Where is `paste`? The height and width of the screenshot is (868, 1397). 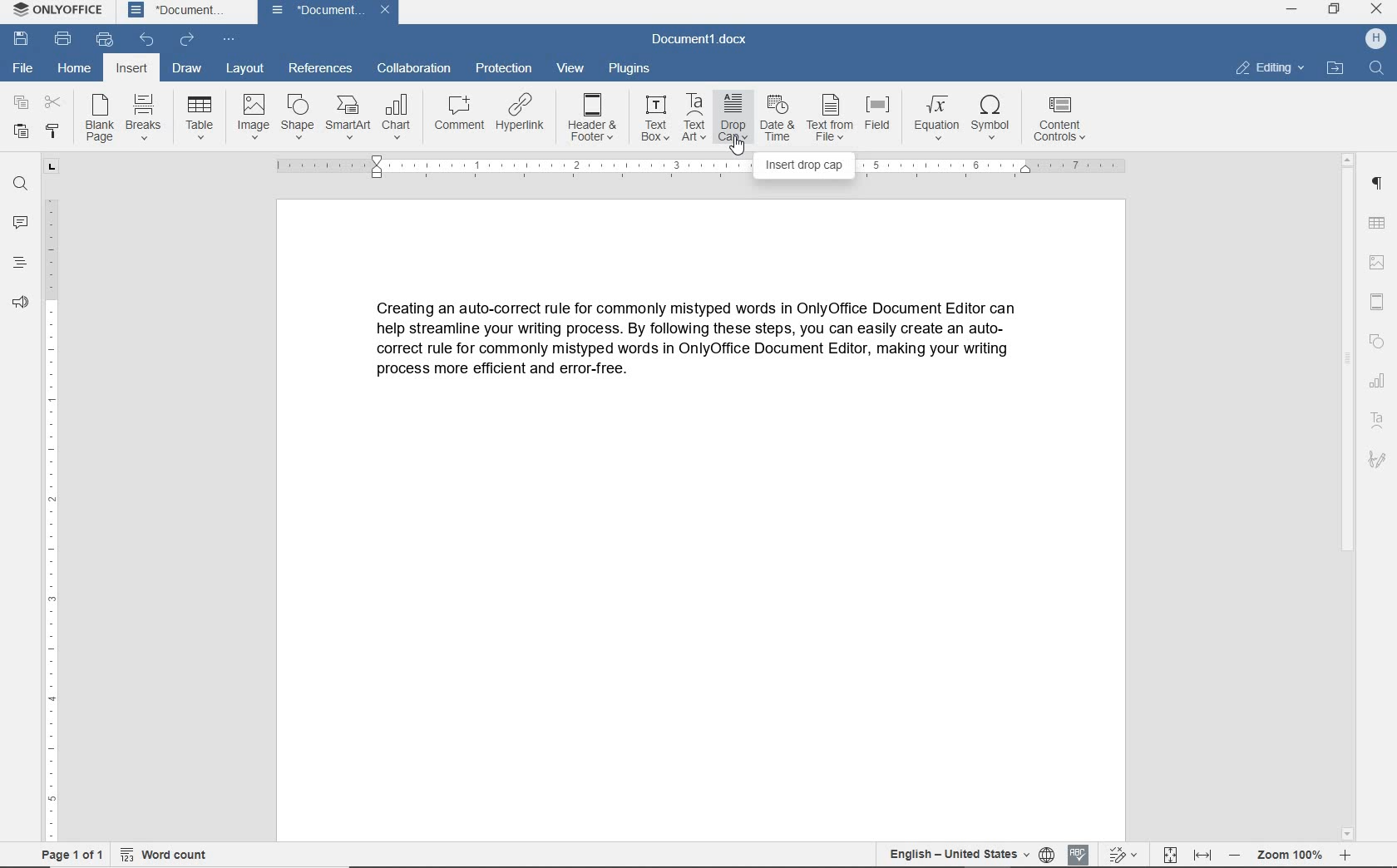 paste is located at coordinates (22, 133).